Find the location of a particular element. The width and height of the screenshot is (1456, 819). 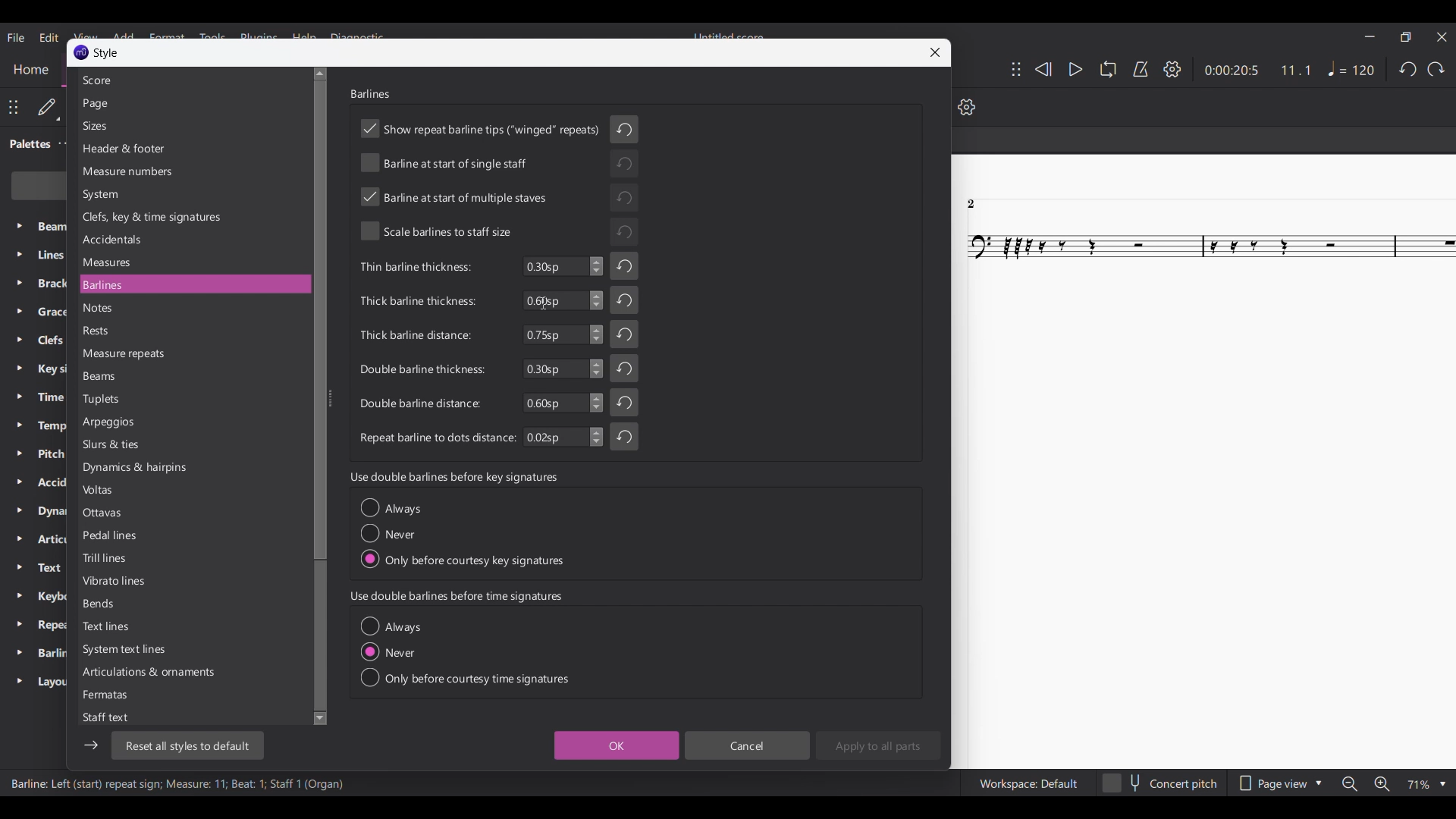

Reset to default is located at coordinates (188, 745).